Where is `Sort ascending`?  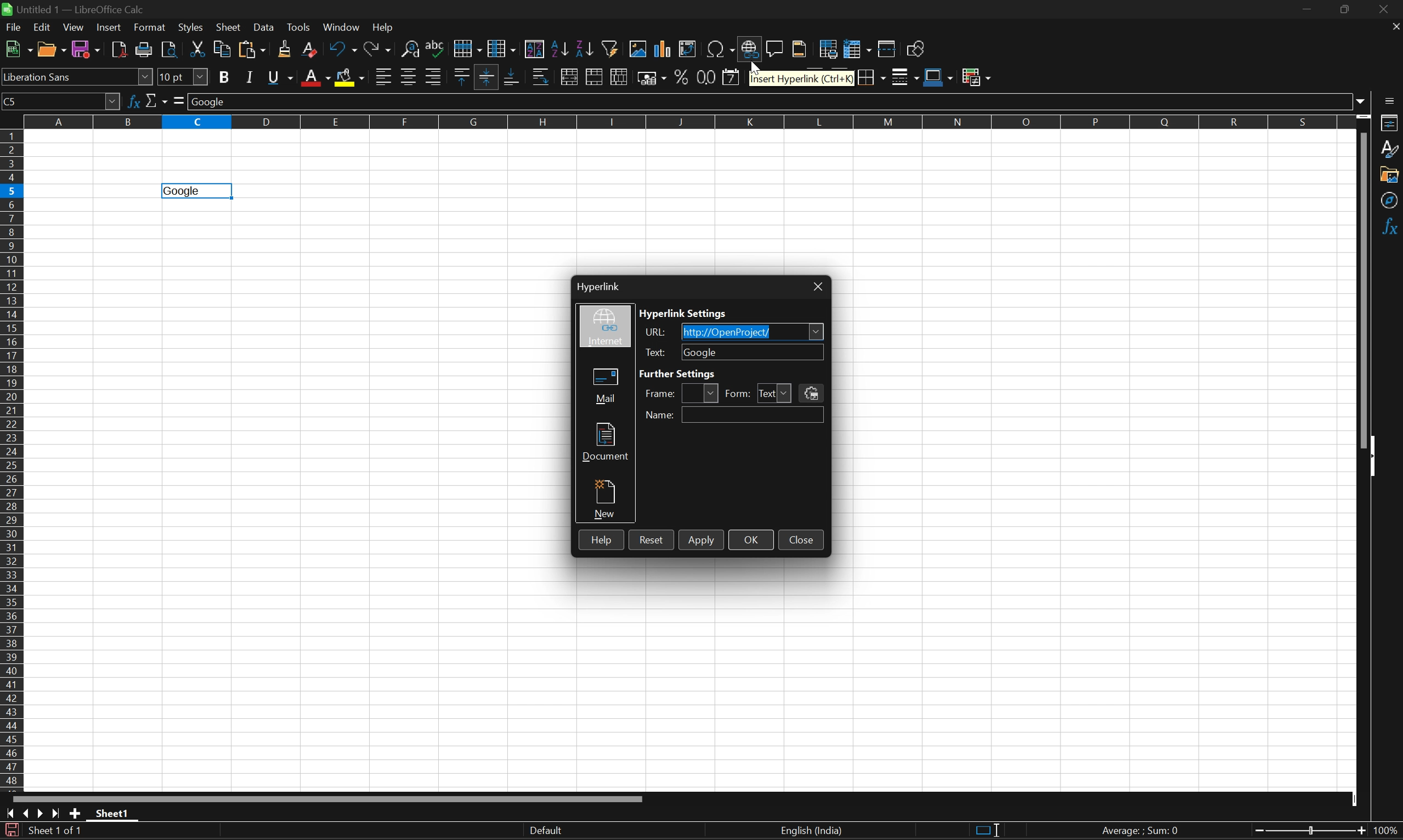
Sort ascending is located at coordinates (559, 49).